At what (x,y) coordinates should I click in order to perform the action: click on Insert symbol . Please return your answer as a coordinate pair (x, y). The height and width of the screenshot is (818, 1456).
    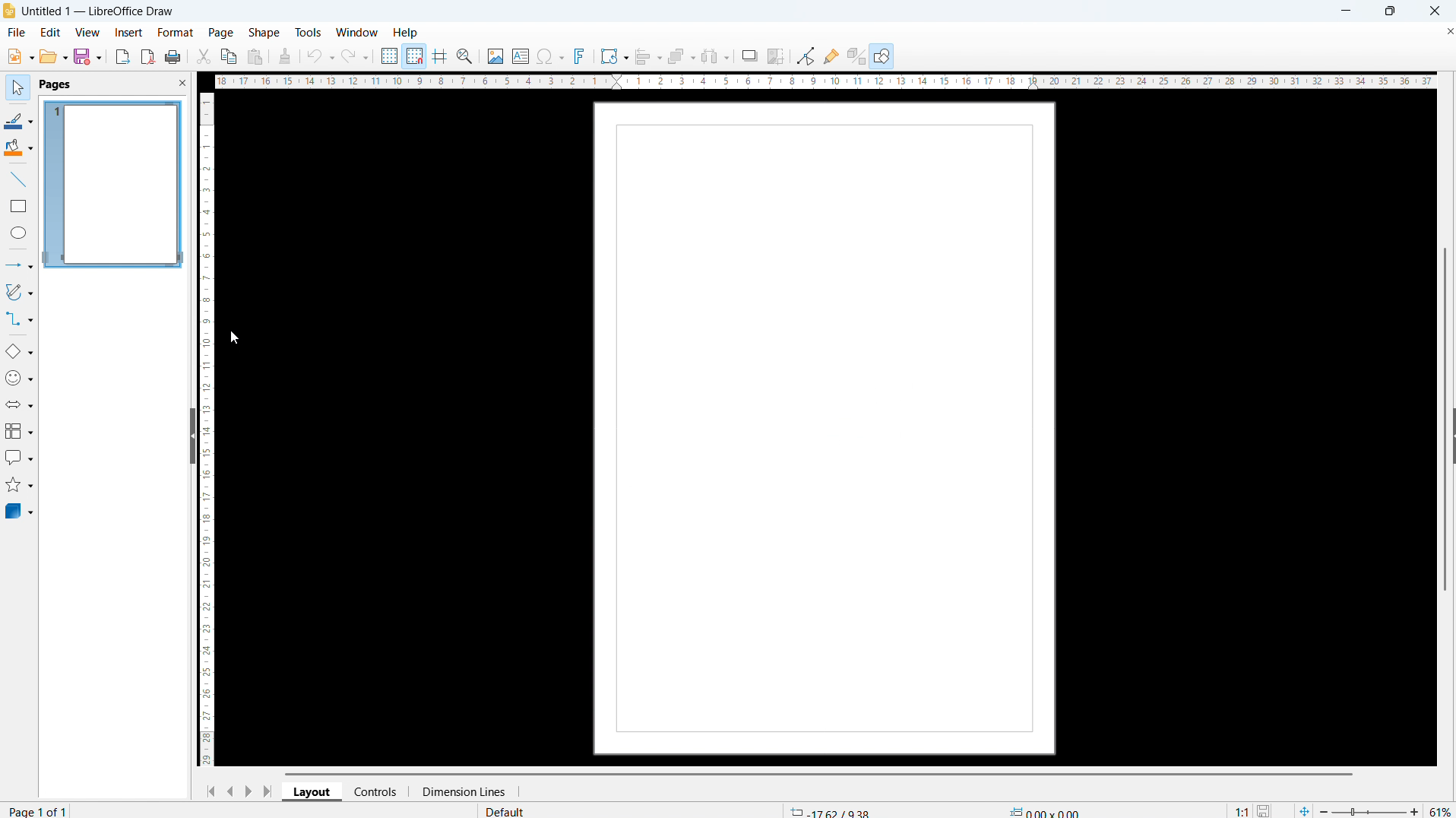
    Looking at the image, I should click on (552, 56).